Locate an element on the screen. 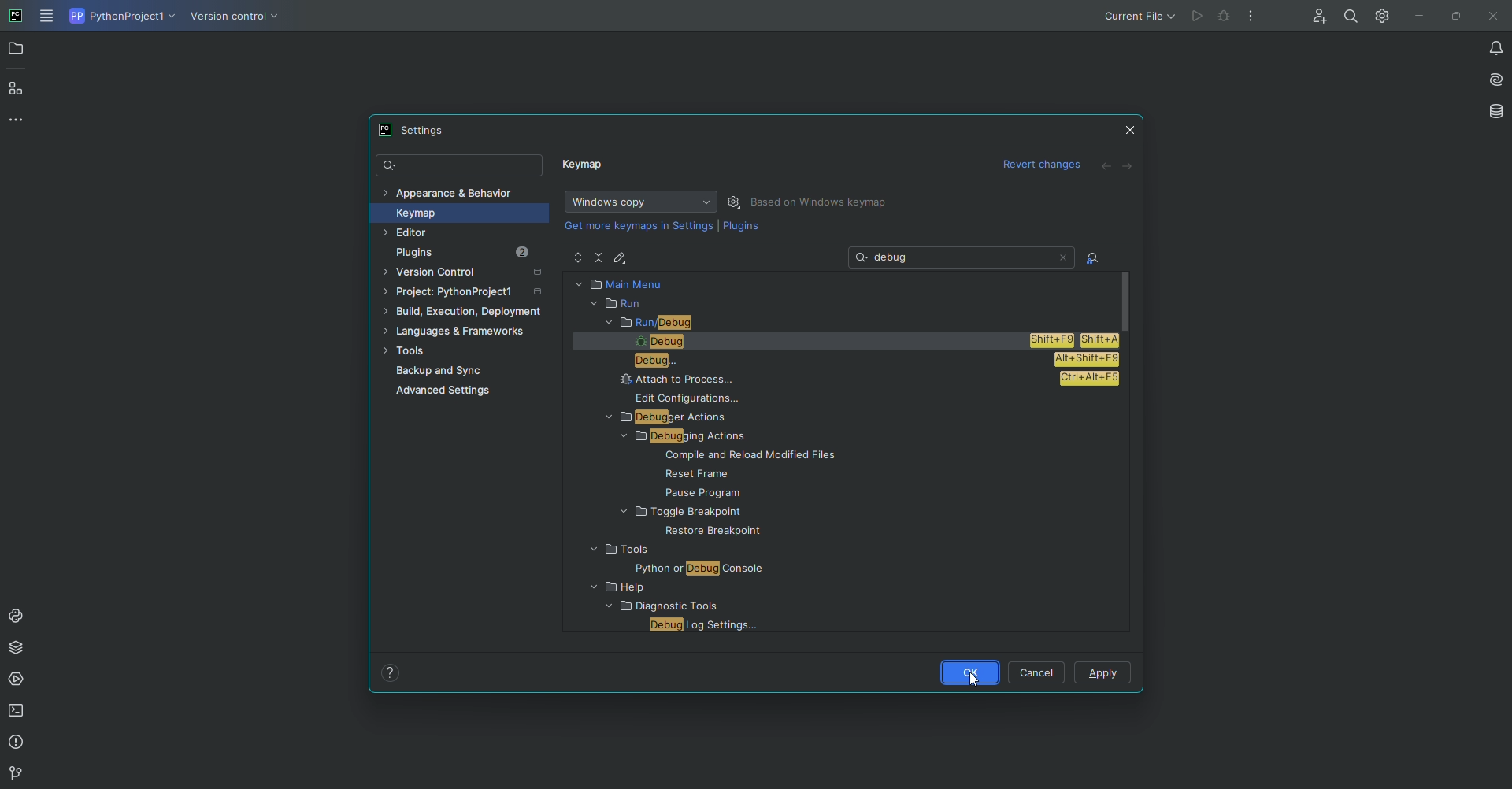 The height and width of the screenshot is (789, 1512). PyCharm is located at coordinates (17, 17).